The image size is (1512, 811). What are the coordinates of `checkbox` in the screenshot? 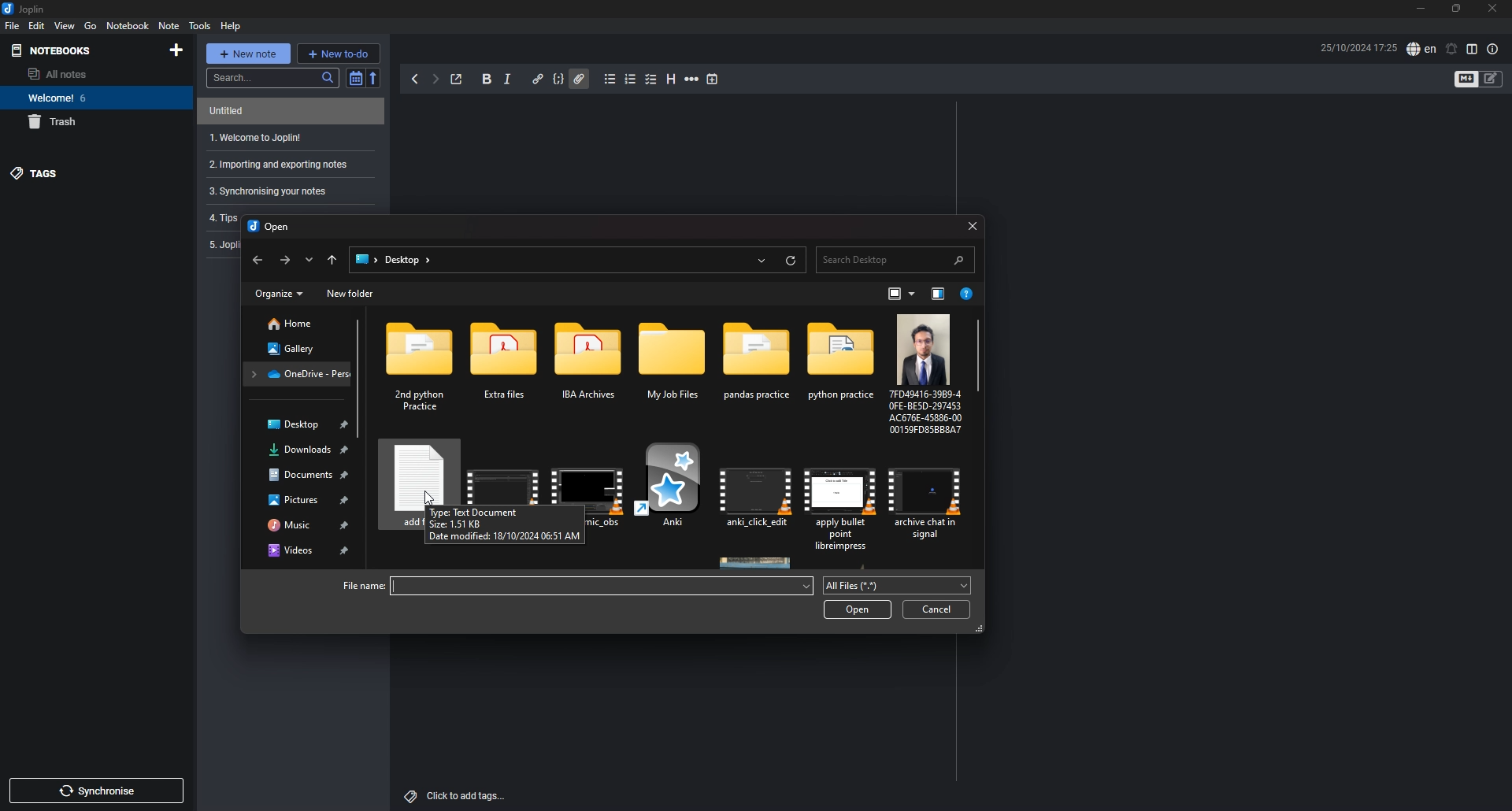 It's located at (652, 80).